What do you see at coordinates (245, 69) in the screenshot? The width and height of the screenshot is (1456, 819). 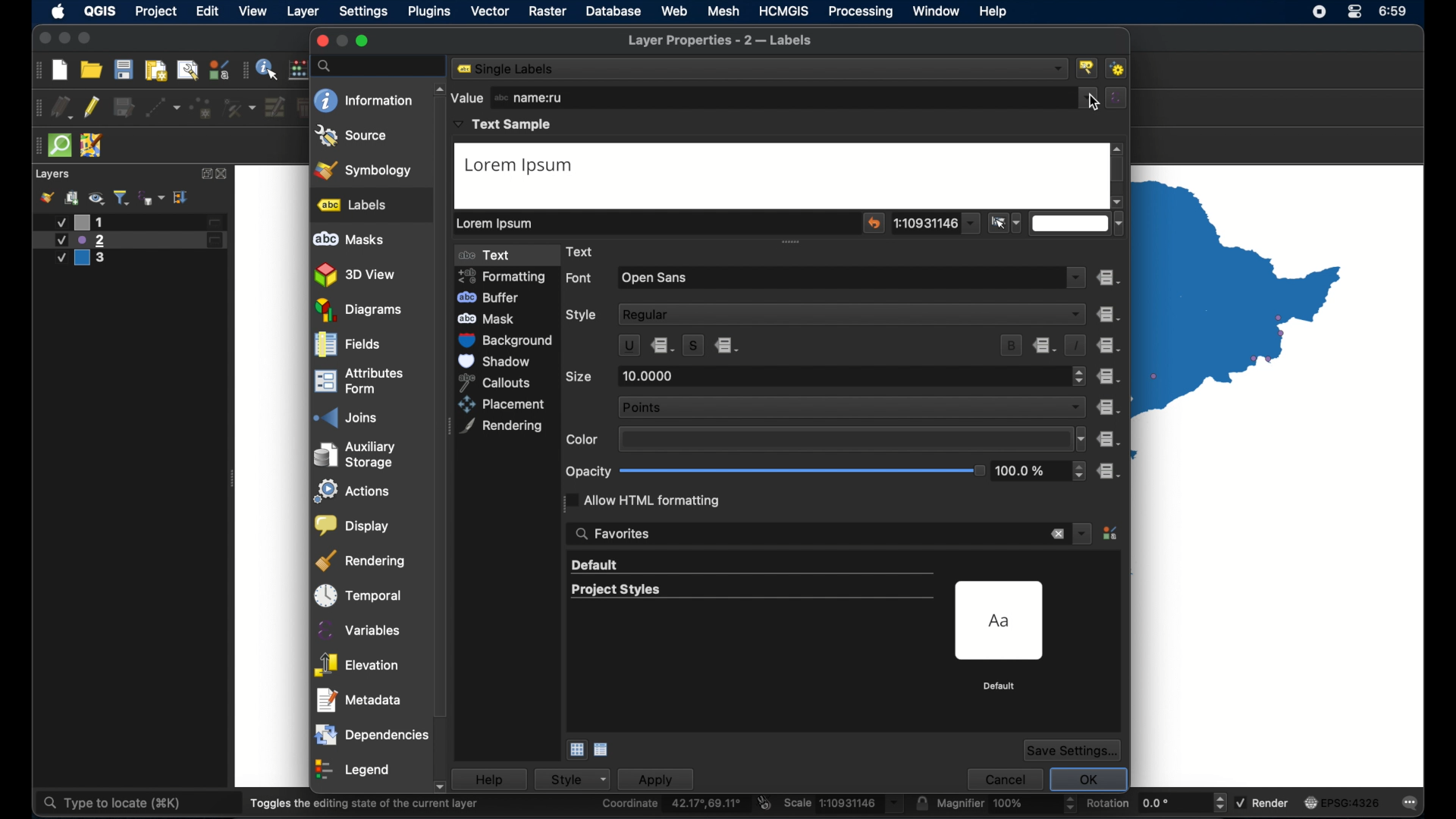 I see `drag handle` at bounding box center [245, 69].